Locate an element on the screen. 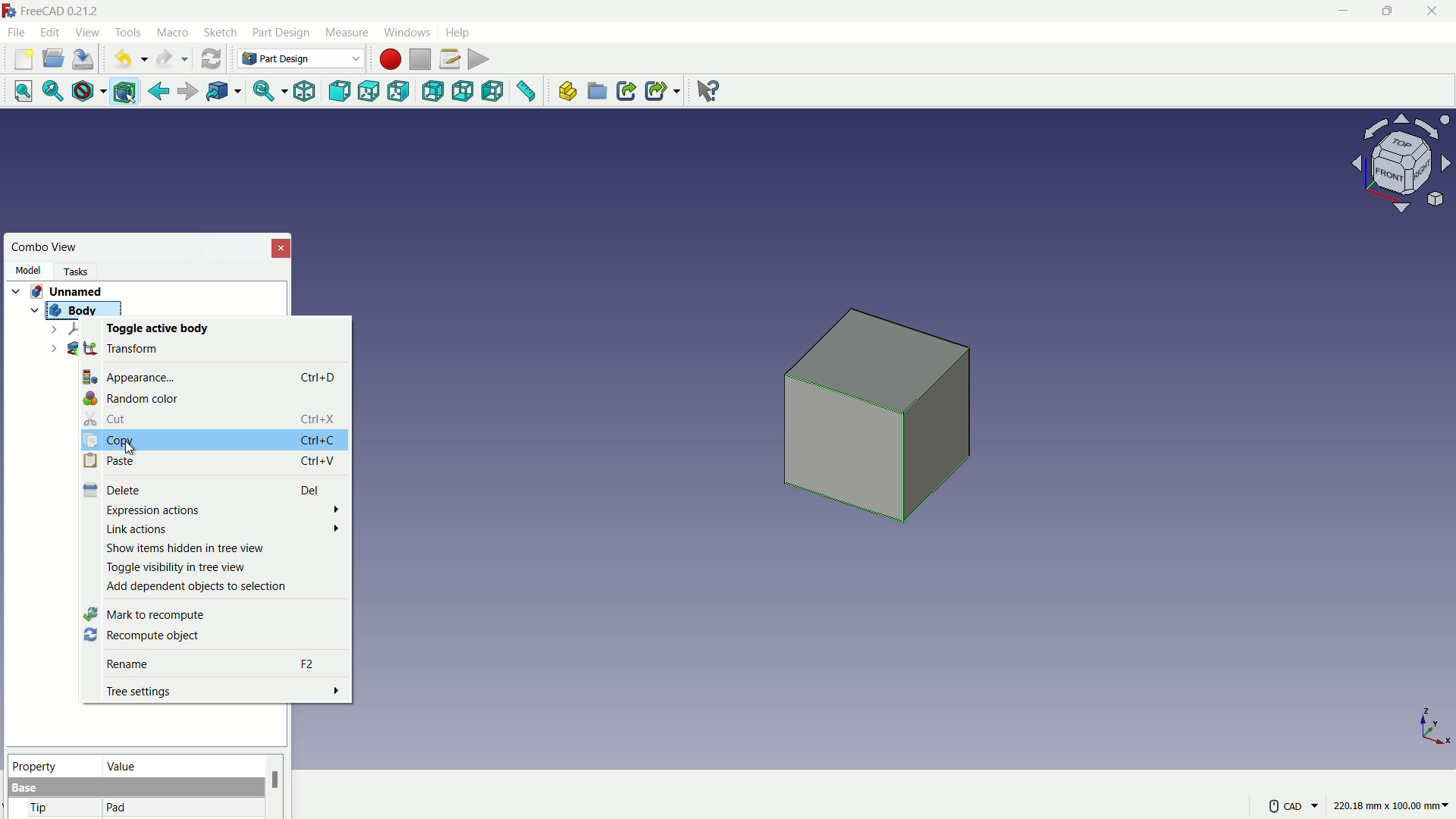 The width and height of the screenshot is (1456, 819). new file is located at coordinates (24, 59).